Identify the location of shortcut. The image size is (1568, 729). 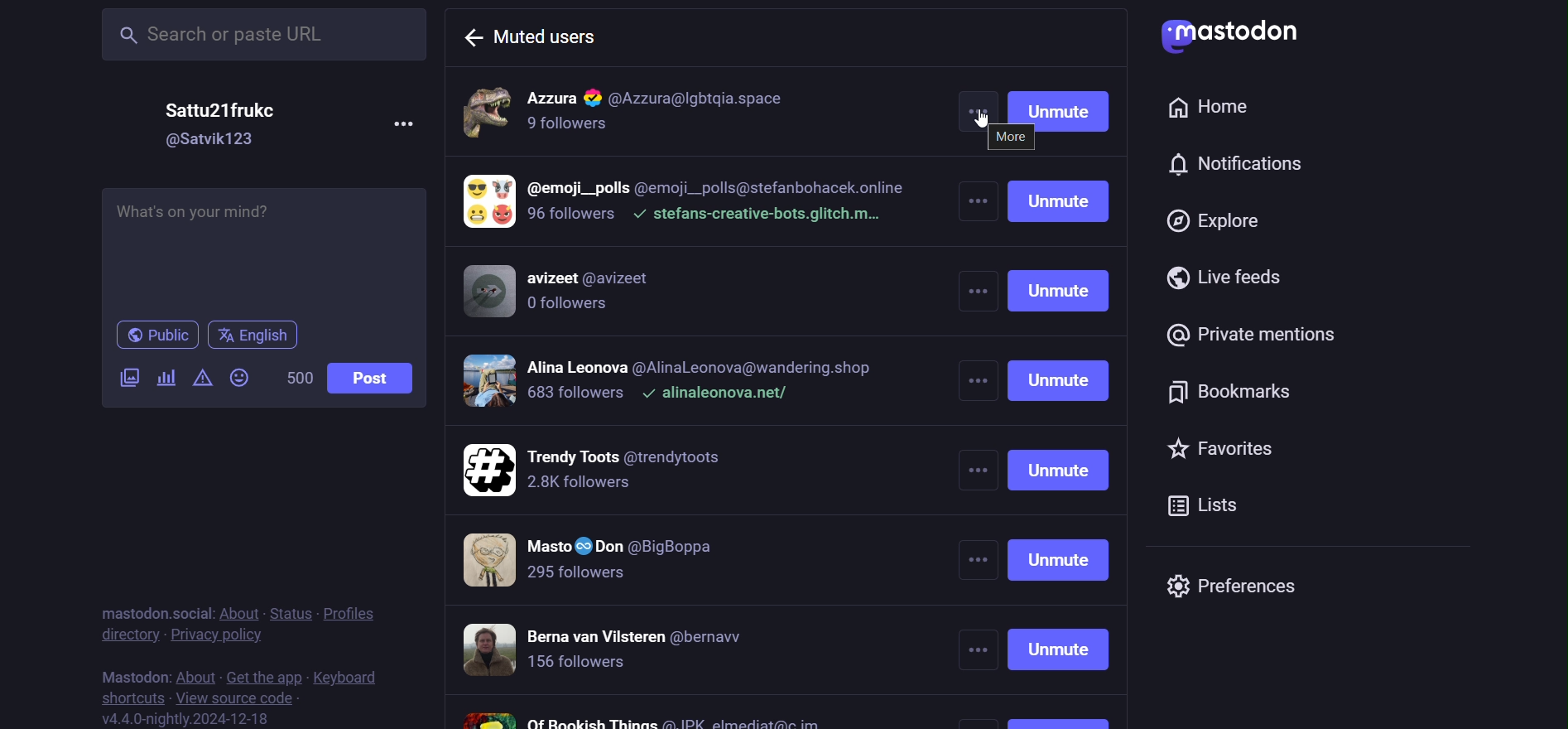
(129, 698).